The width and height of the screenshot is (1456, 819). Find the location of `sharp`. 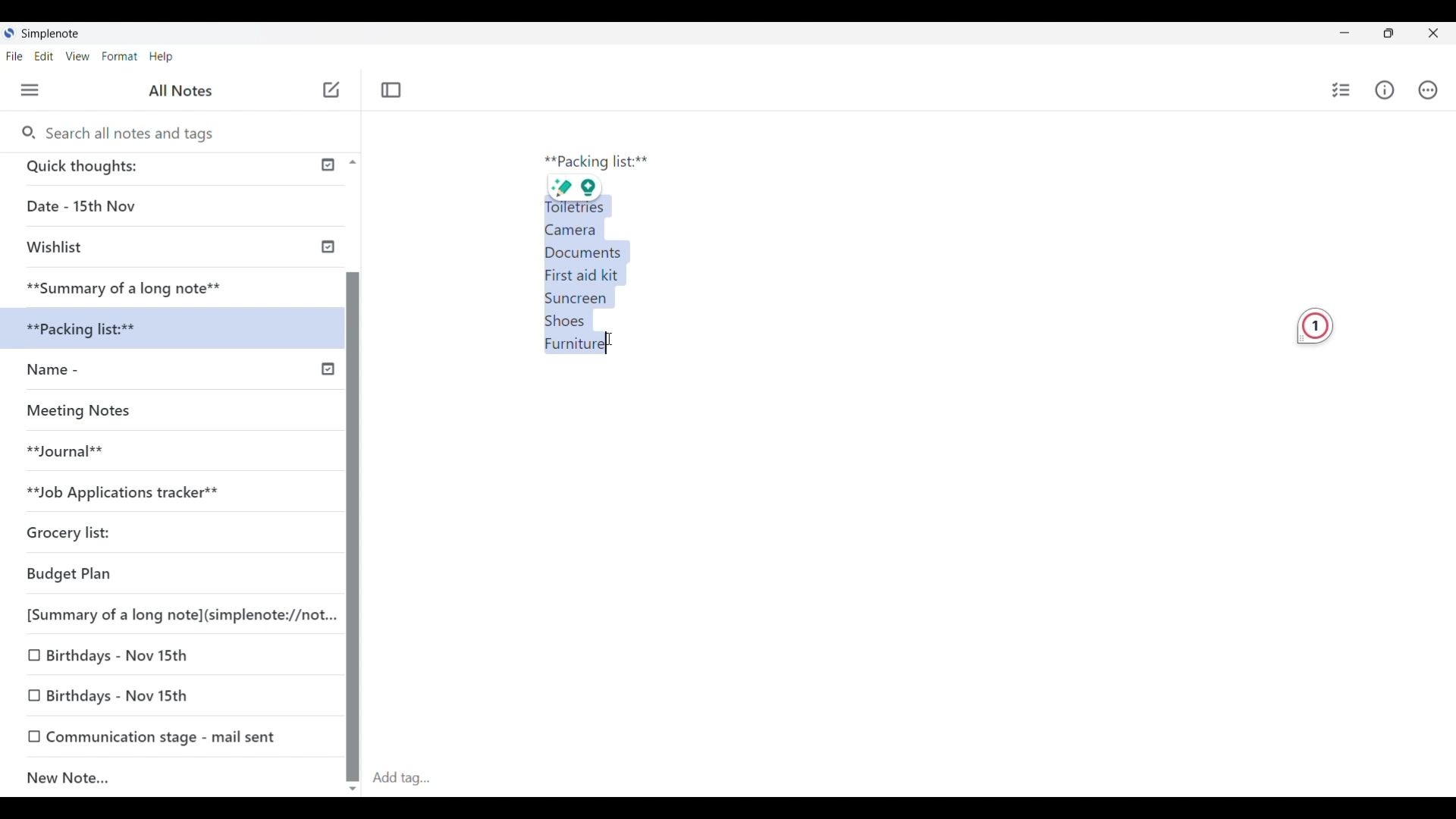

sharp is located at coordinates (555, 187).